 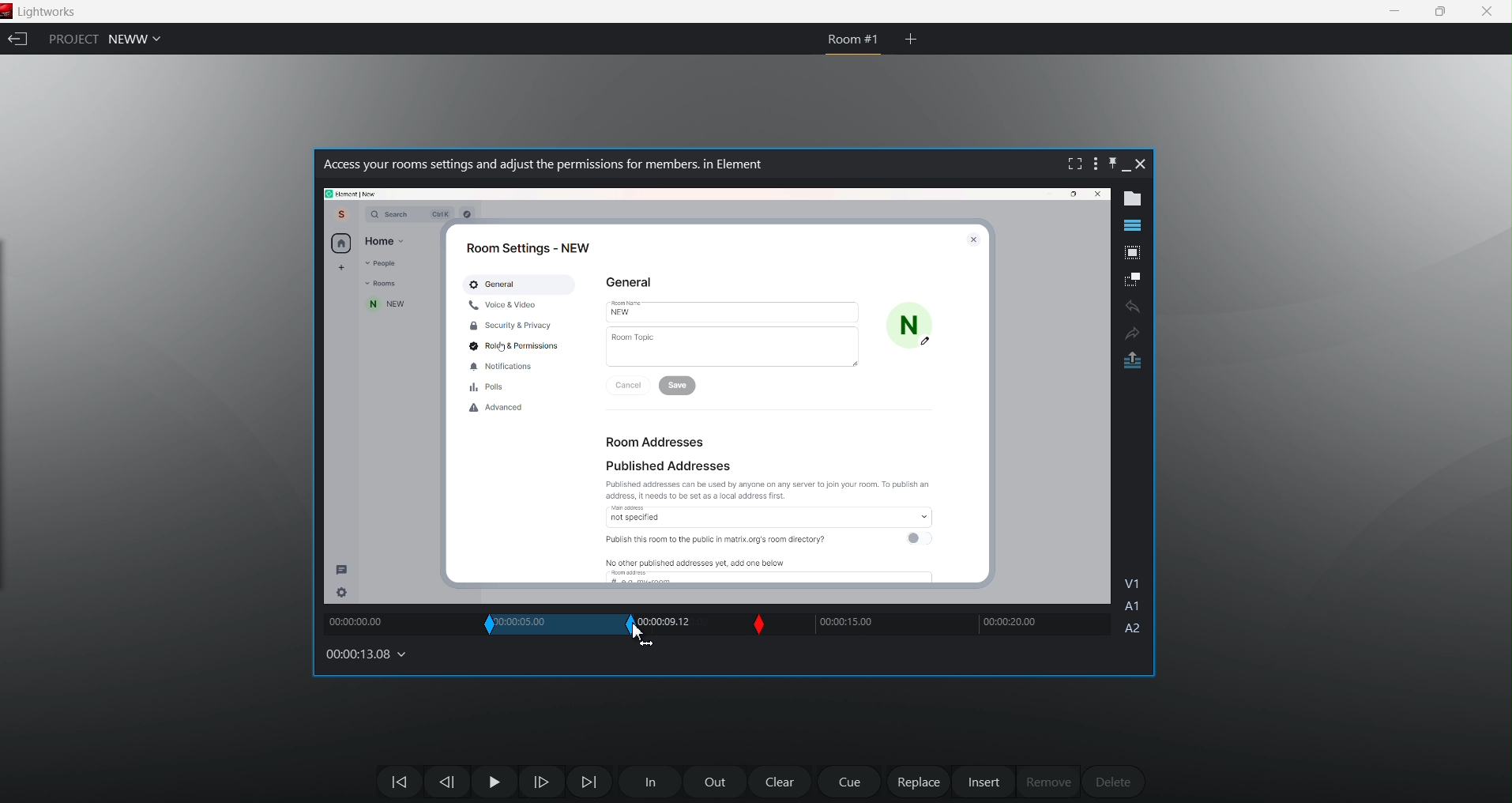 What do you see at coordinates (522, 247) in the screenshot?
I see `Room Settings - NEW` at bounding box center [522, 247].